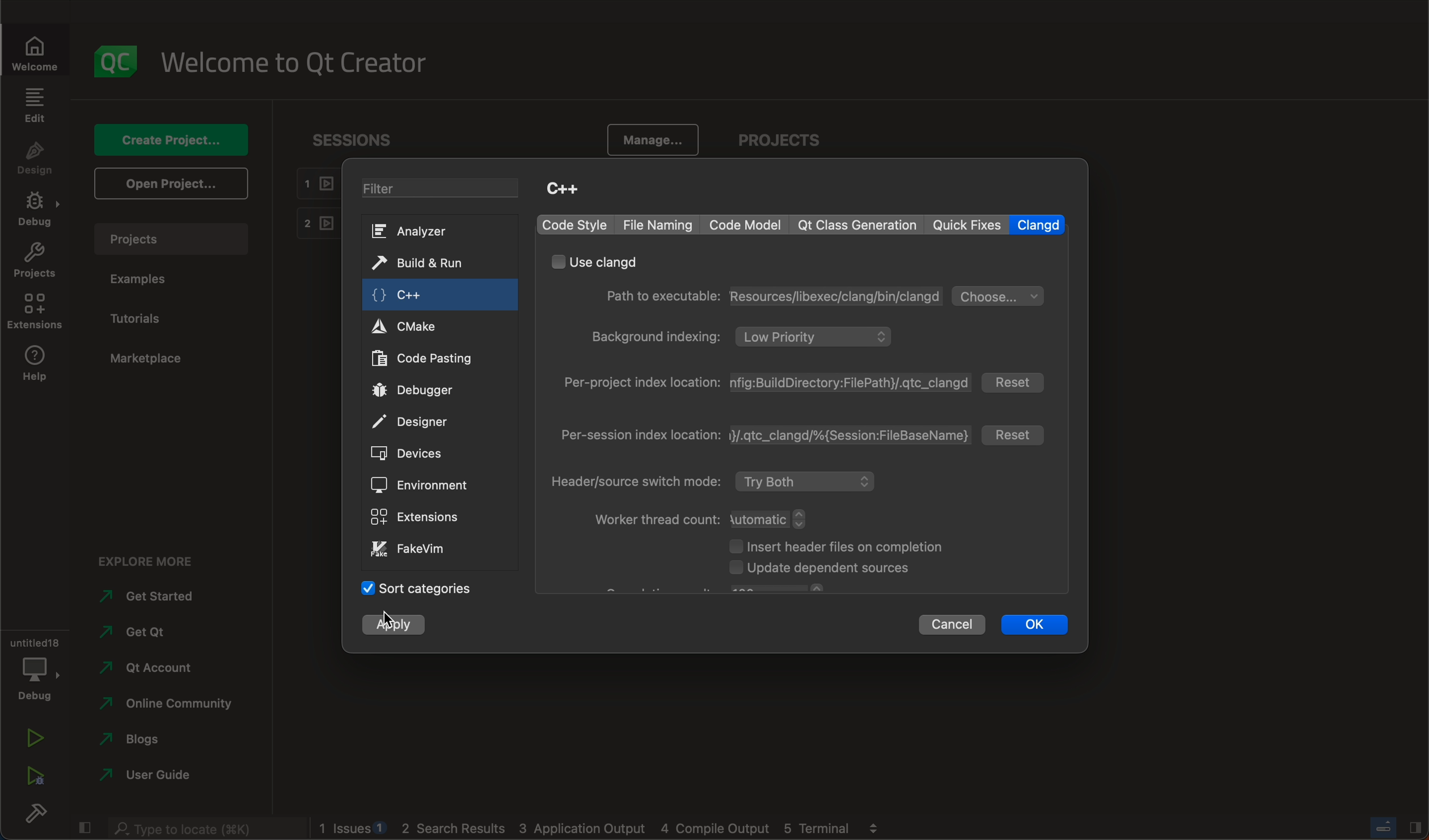  What do you see at coordinates (423, 515) in the screenshot?
I see `build and run` at bounding box center [423, 515].